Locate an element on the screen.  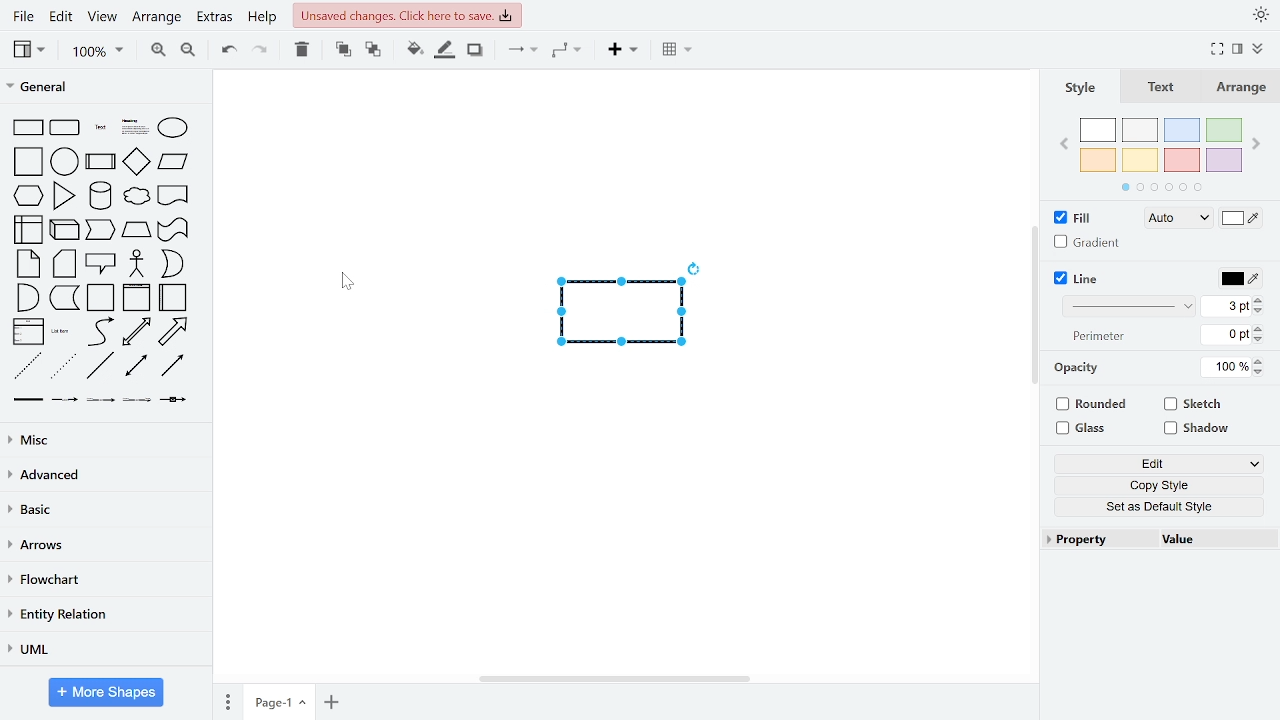
copy style is located at coordinates (1154, 484).